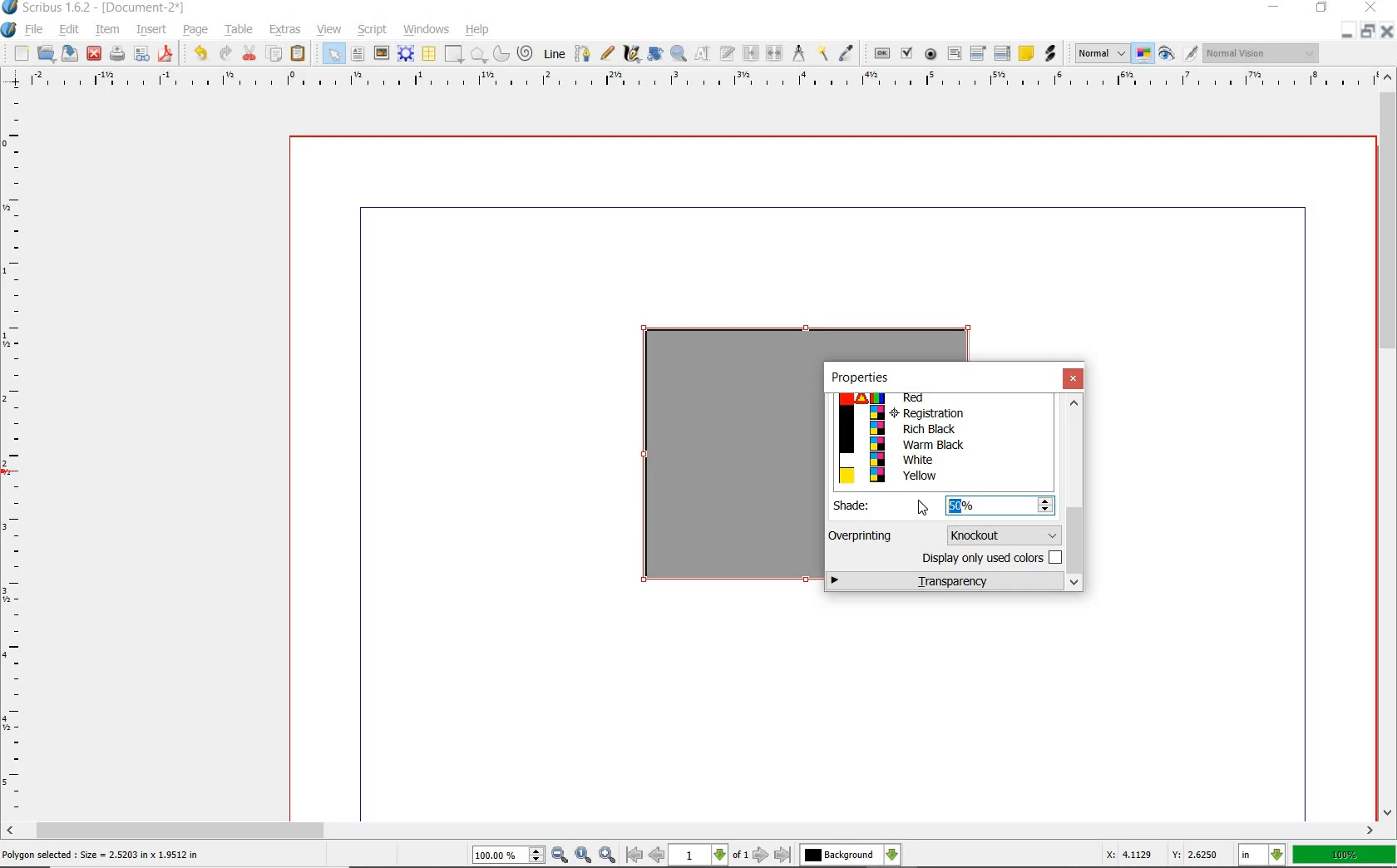 The image size is (1397, 868). Describe the element at coordinates (761, 856) in the screenshot. I see `go to next page` at that location.